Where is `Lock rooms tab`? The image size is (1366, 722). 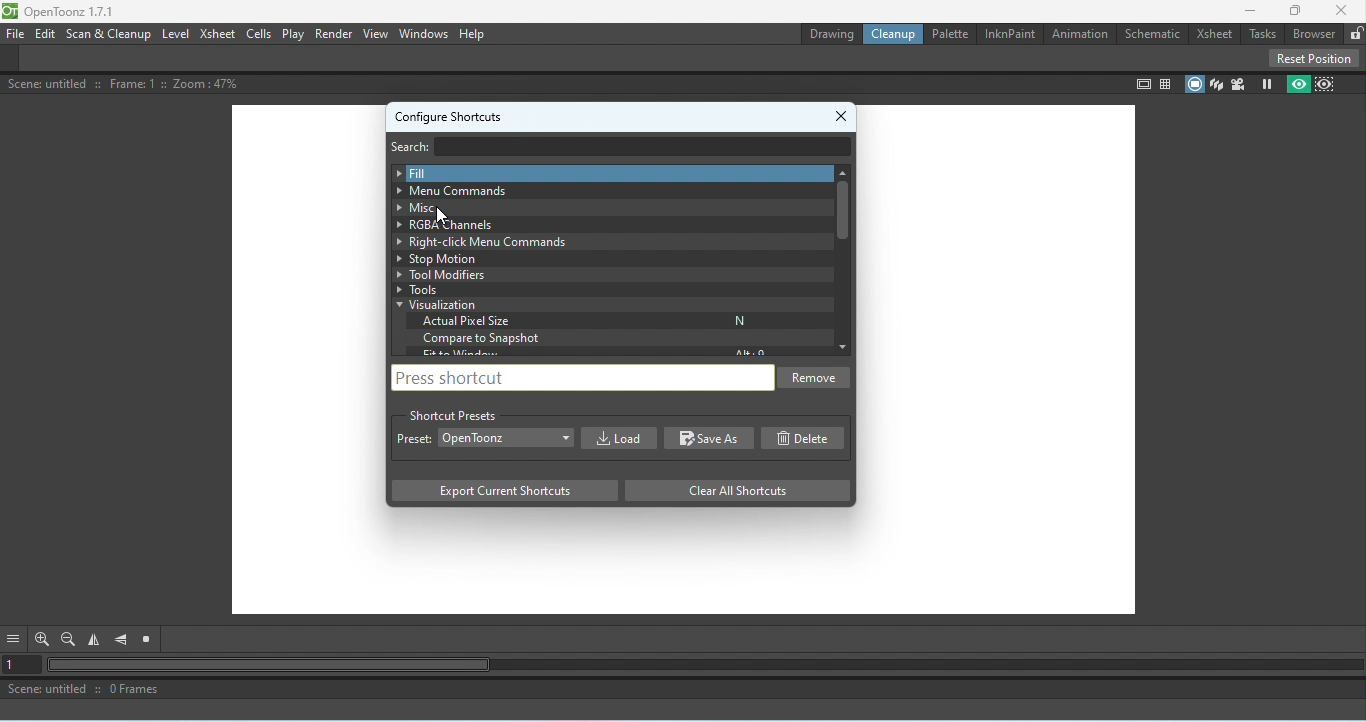 Lock rooms tab is located at coordinates (1355, 32).